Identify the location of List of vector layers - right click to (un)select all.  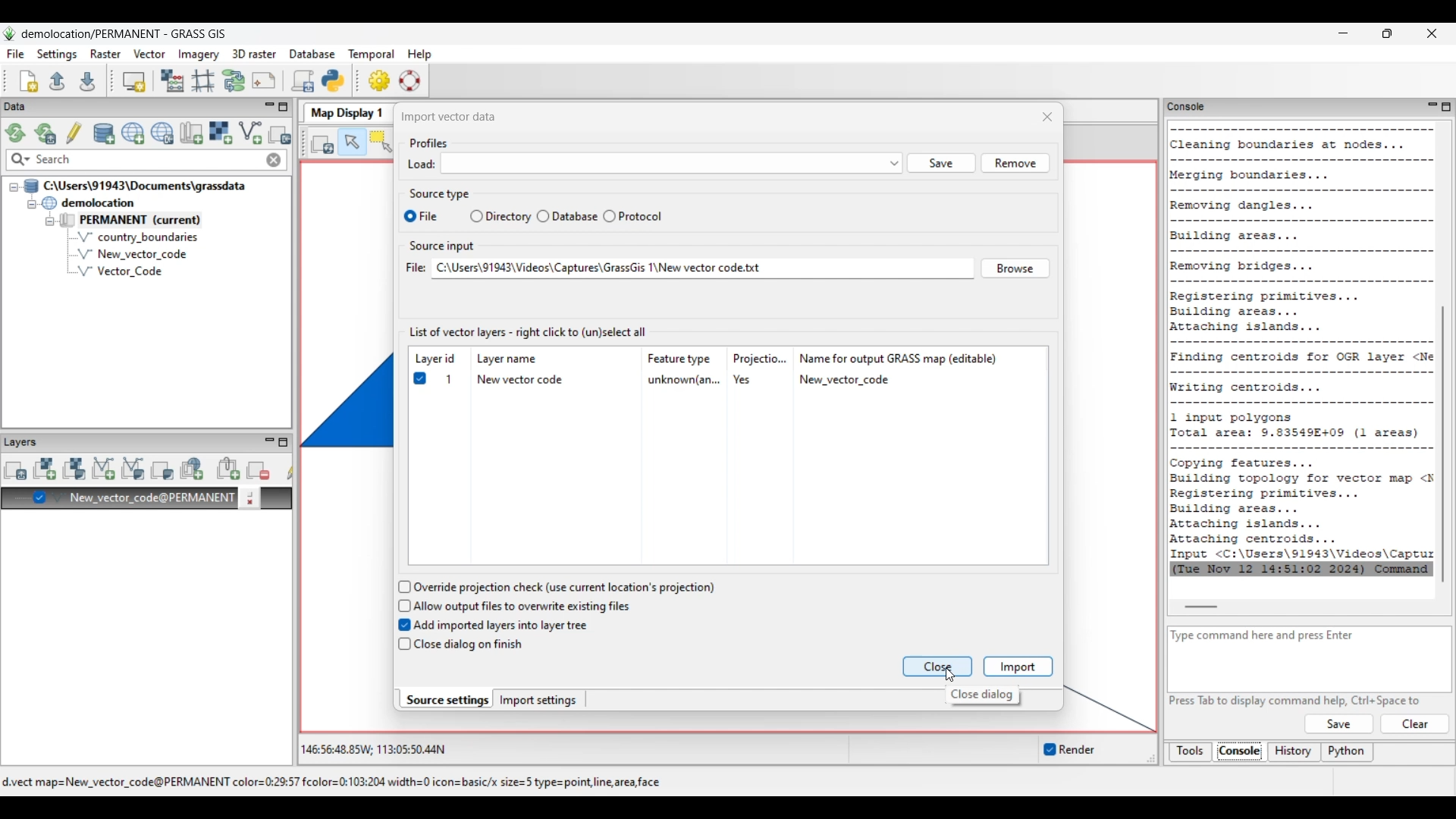
(530, 331).